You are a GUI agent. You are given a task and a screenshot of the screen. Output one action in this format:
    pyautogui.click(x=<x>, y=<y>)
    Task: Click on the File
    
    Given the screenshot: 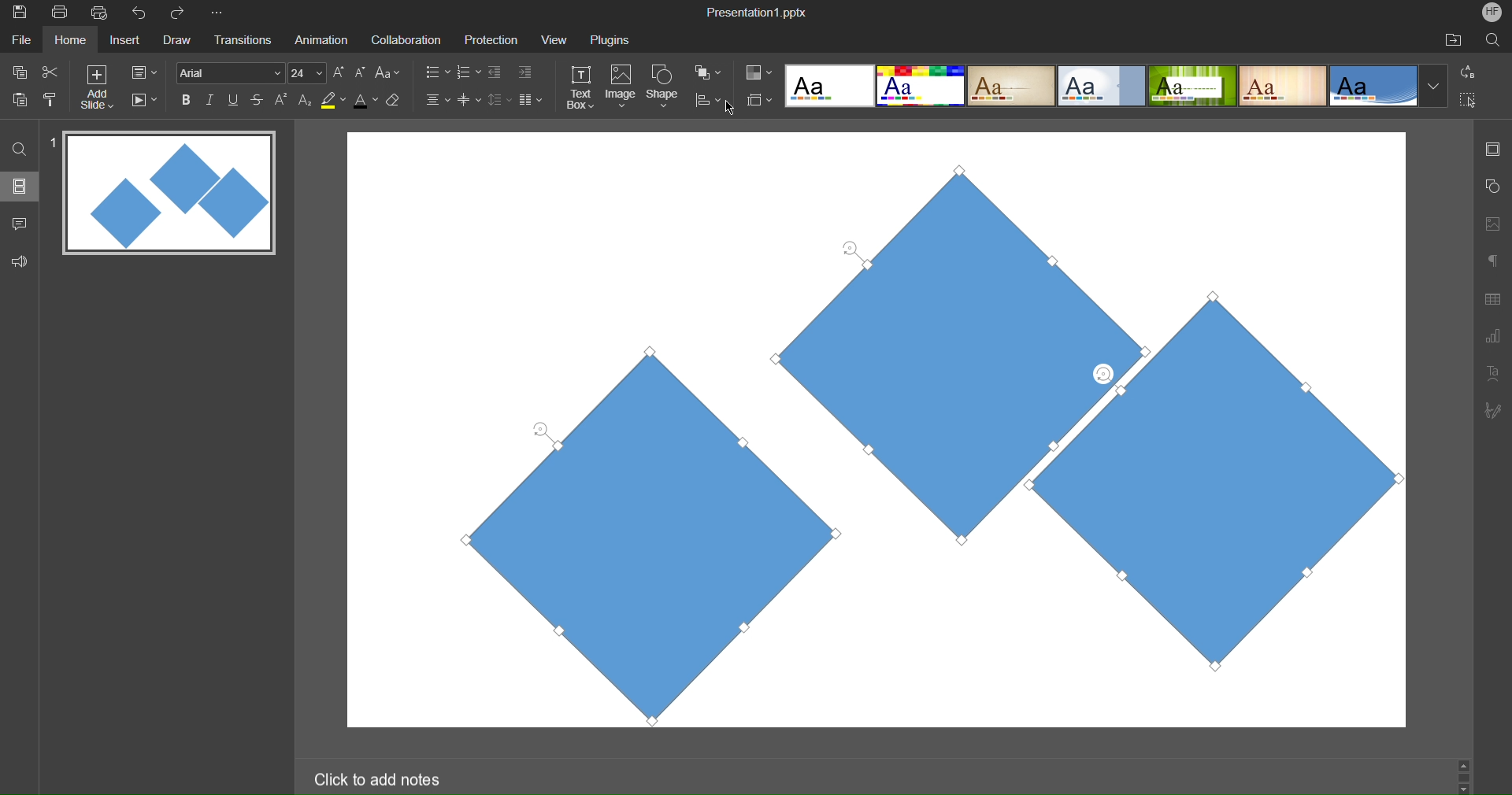 What is the action you would take?
    pyautogui.click(x=24, y=39)
    